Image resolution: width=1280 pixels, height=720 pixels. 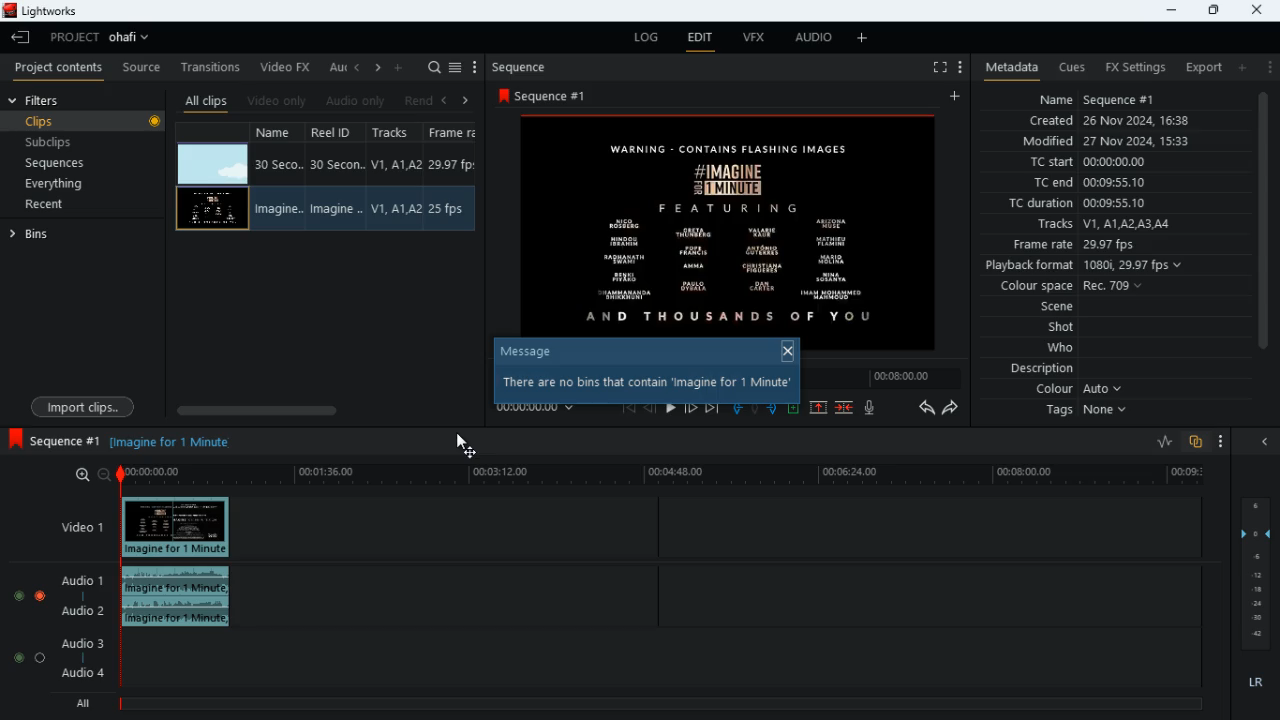 What do you see at coordinates (533, 350) in the screenshot?
I see `message` at bounding box center [533, 350].